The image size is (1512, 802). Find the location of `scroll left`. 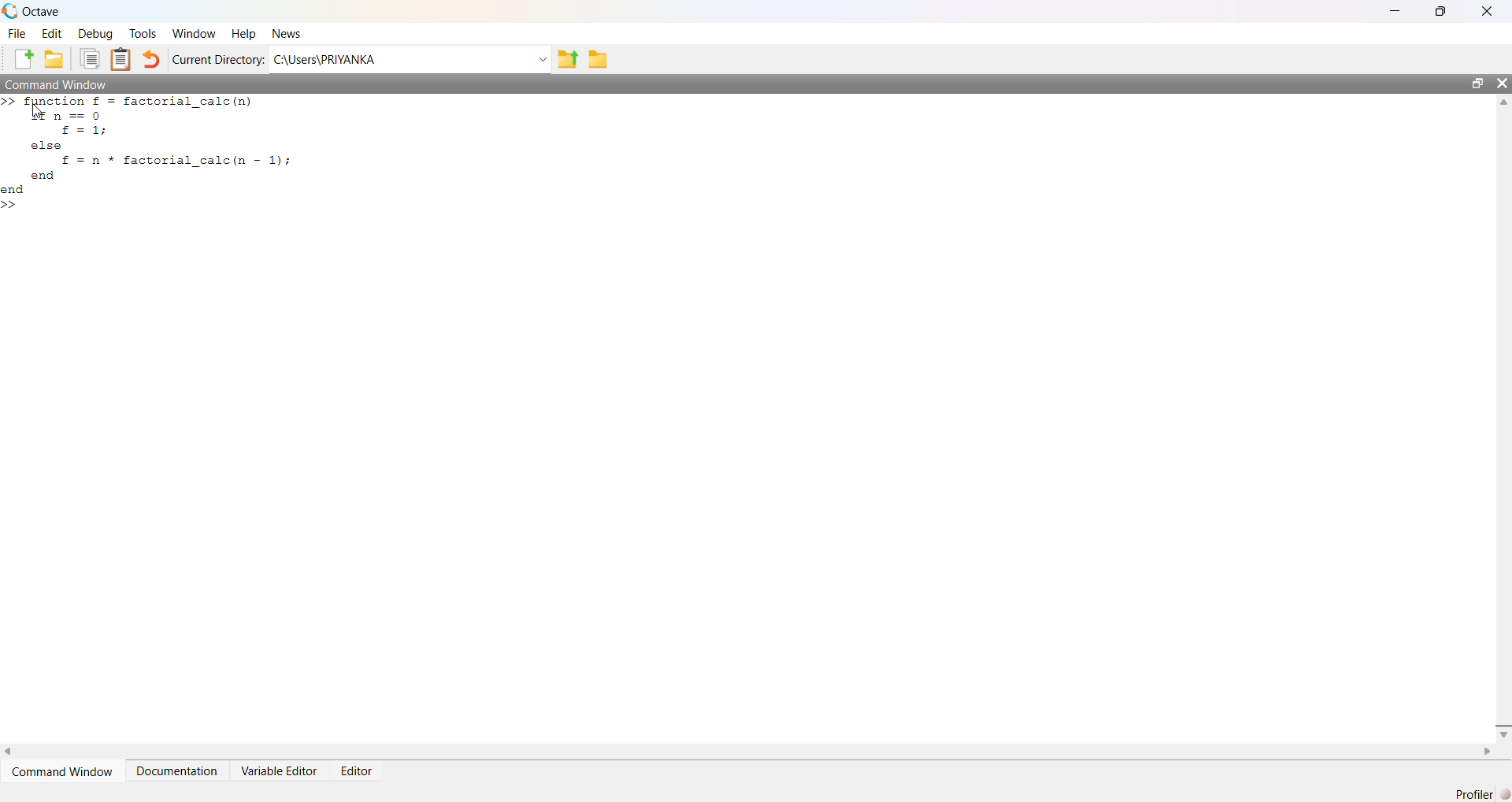

scroll left is located at coordinates (9, 751).